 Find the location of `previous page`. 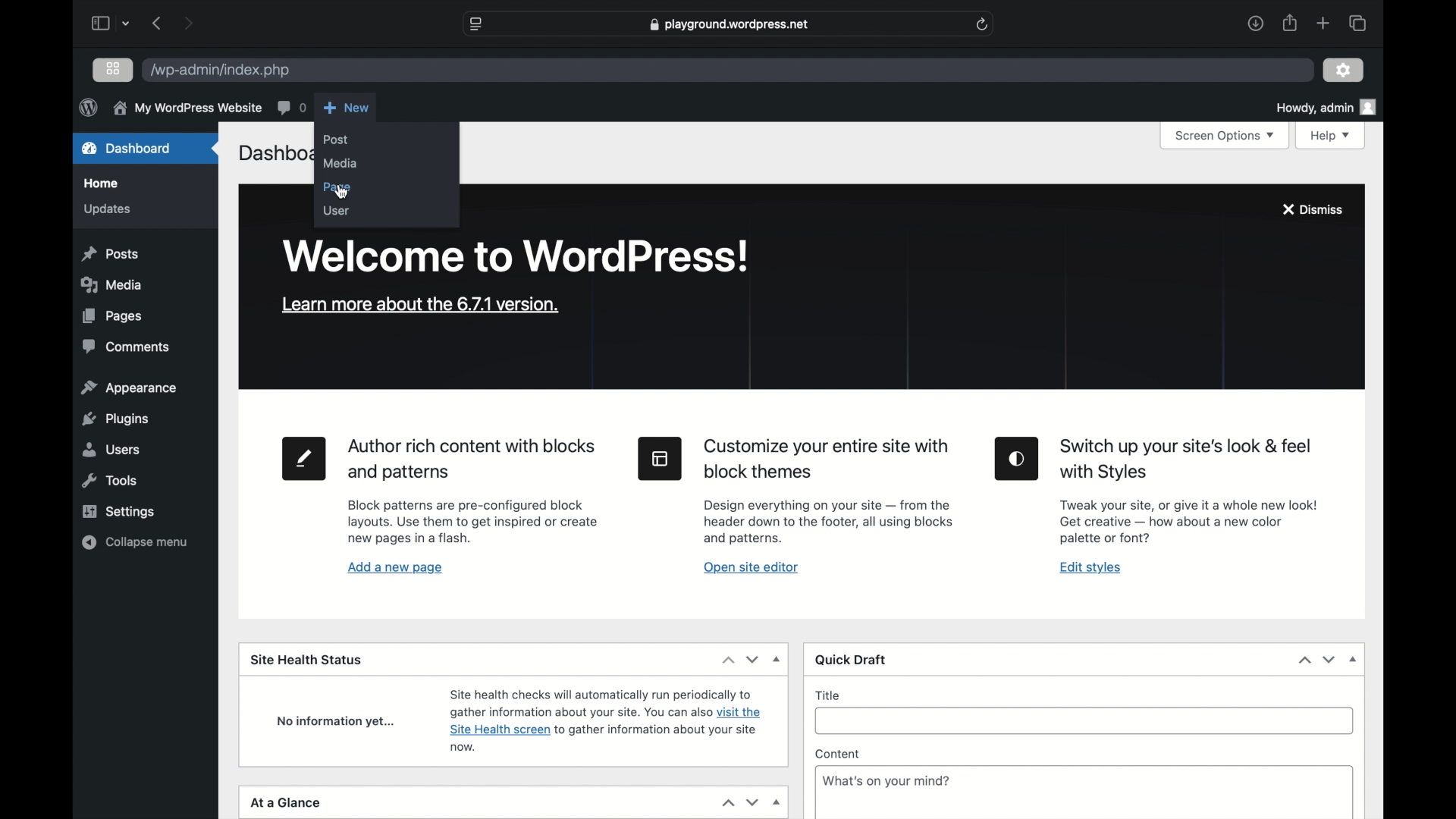

previous page is located at coordinates (155, 23).